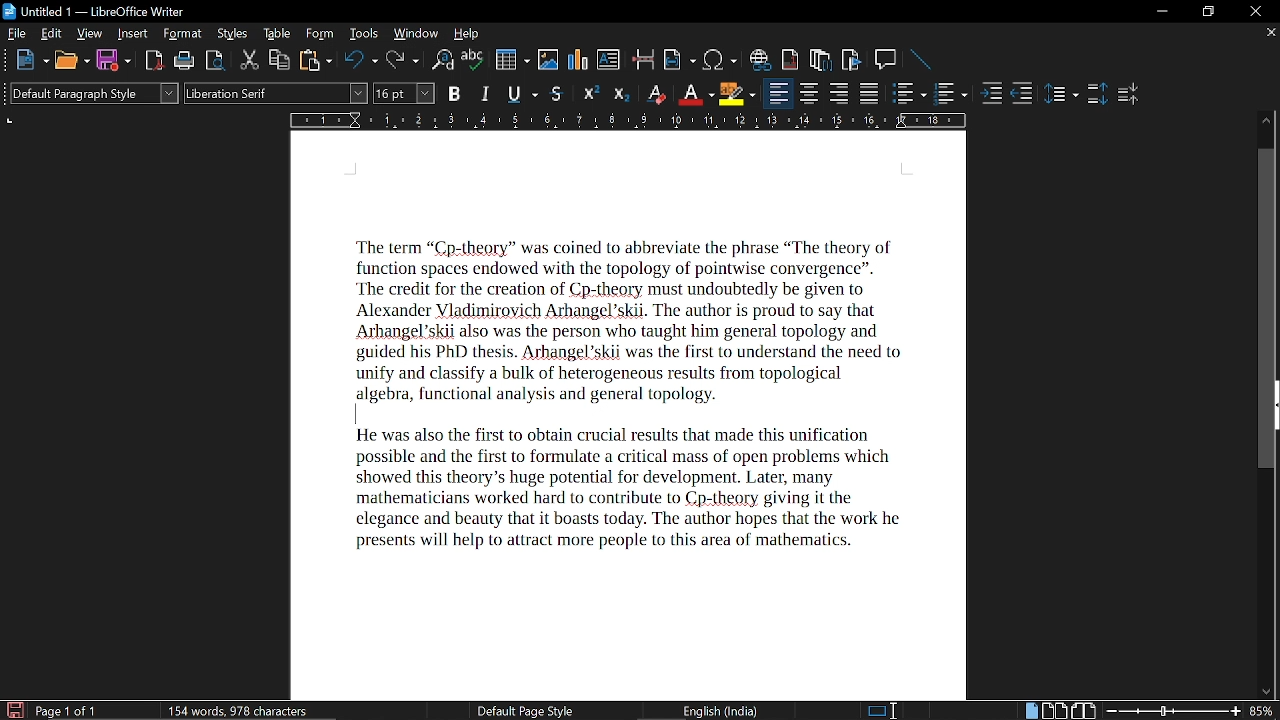 This screenshot has height=720, width=1280. I want to click on Paste, so click(316, 60).